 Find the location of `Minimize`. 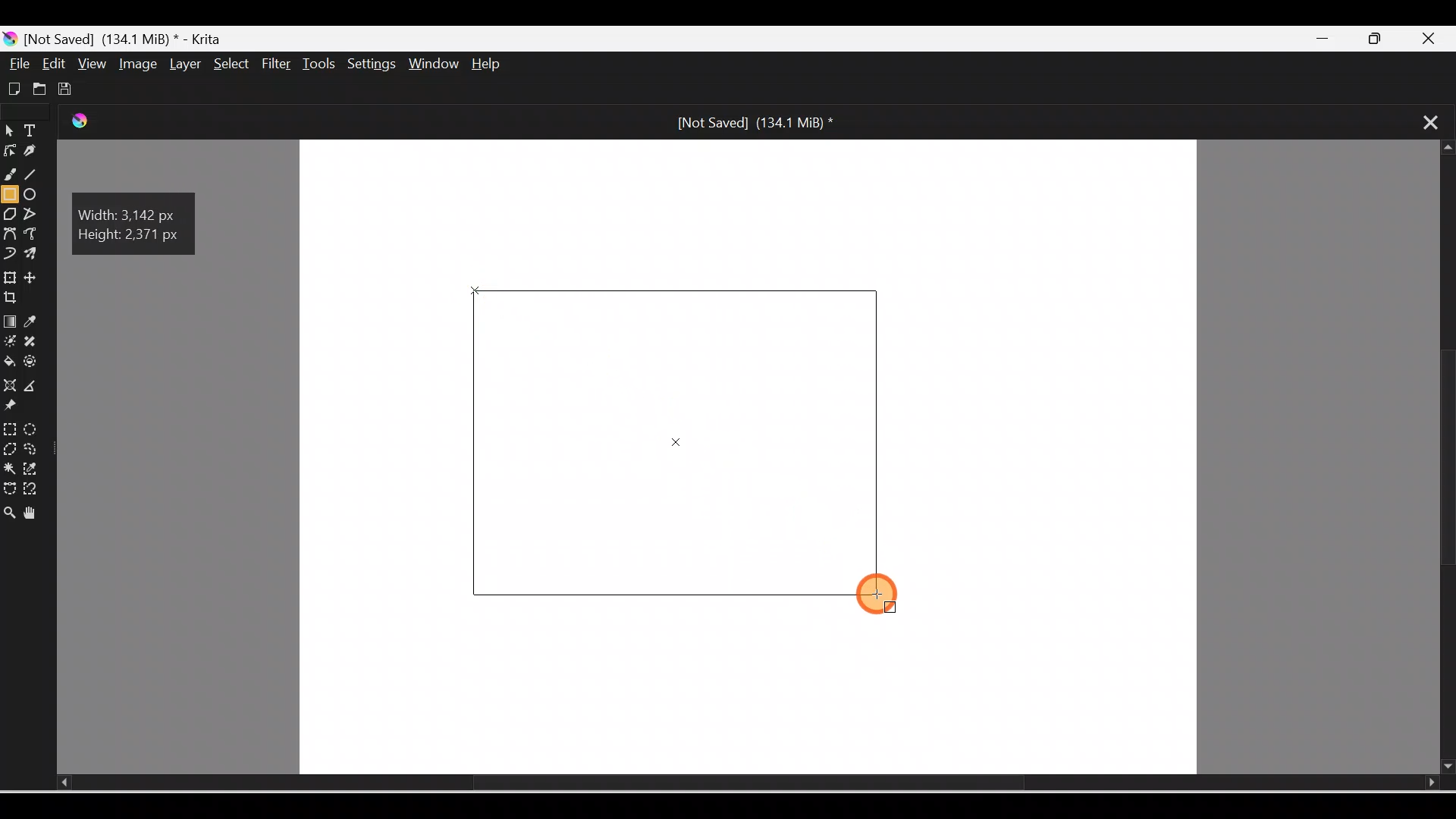

Minimize is located at coordinates (1326, 39).